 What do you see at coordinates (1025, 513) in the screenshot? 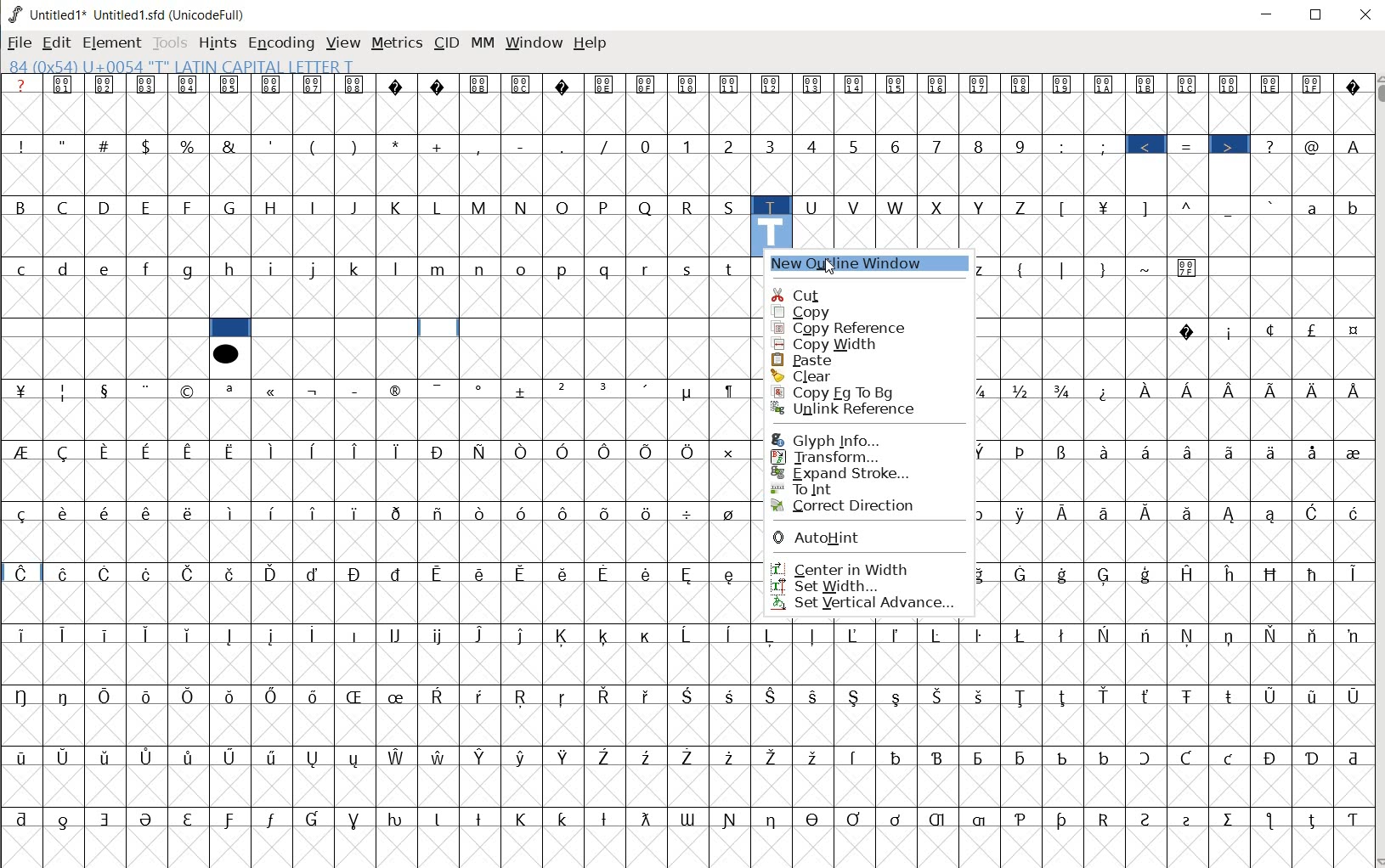
I see `Symbol` at bounding box center [1025, 513].